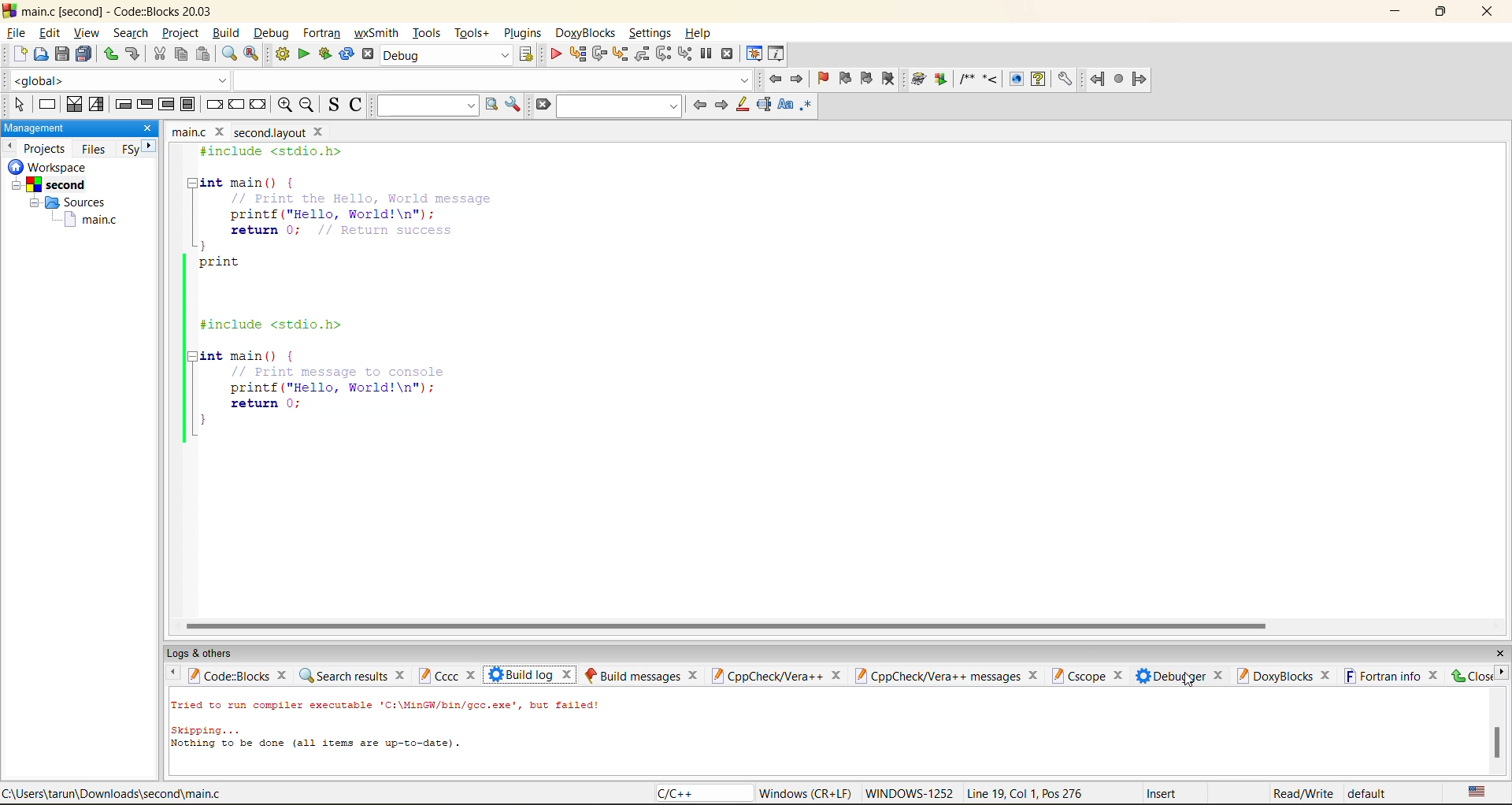 The width and height of the screenshot is (1512, 805). I want to click on run search, so click(494, 106).